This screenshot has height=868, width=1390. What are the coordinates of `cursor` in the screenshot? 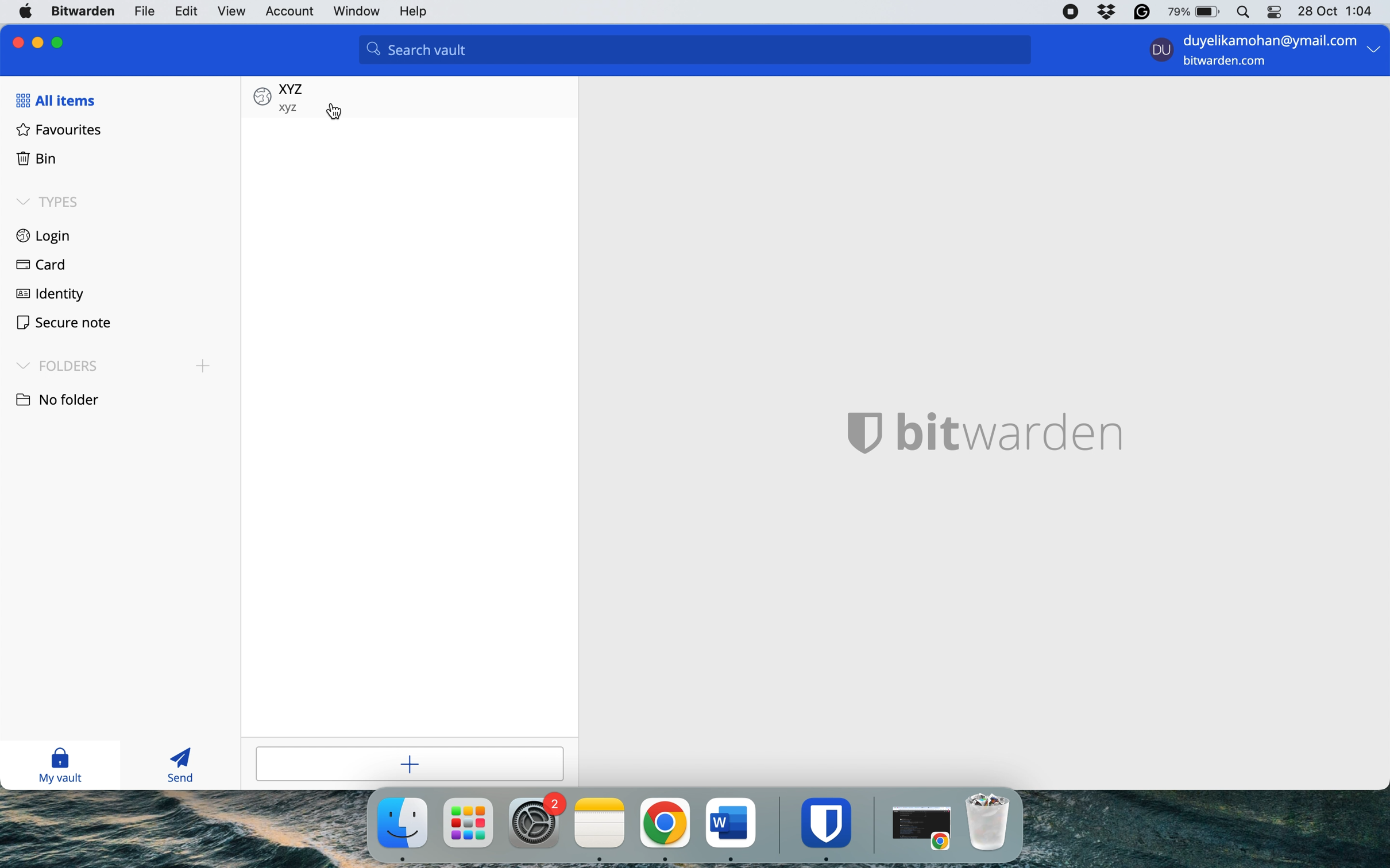 It's located at (335, 113).